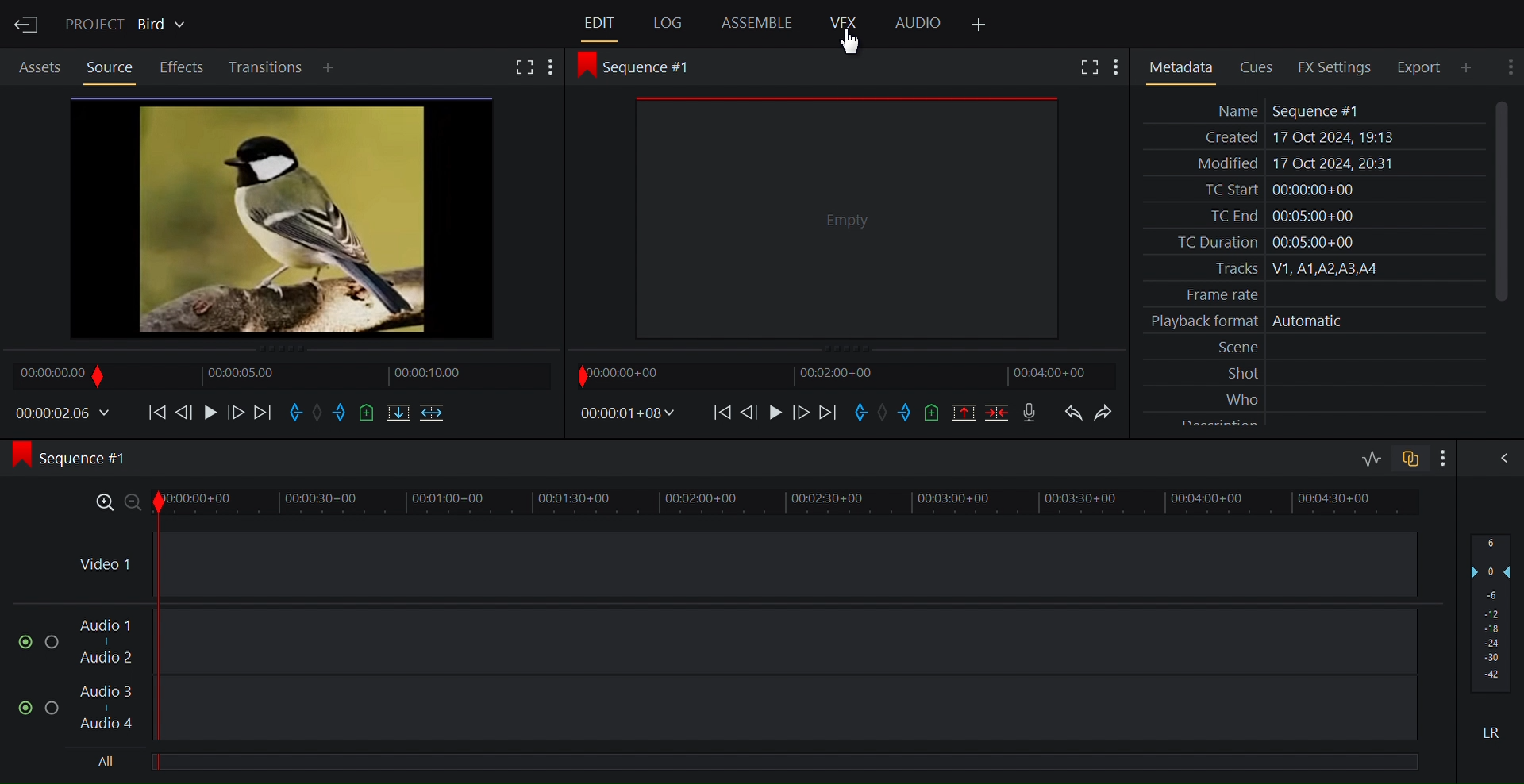  I want to click on All, so click(732, 760).